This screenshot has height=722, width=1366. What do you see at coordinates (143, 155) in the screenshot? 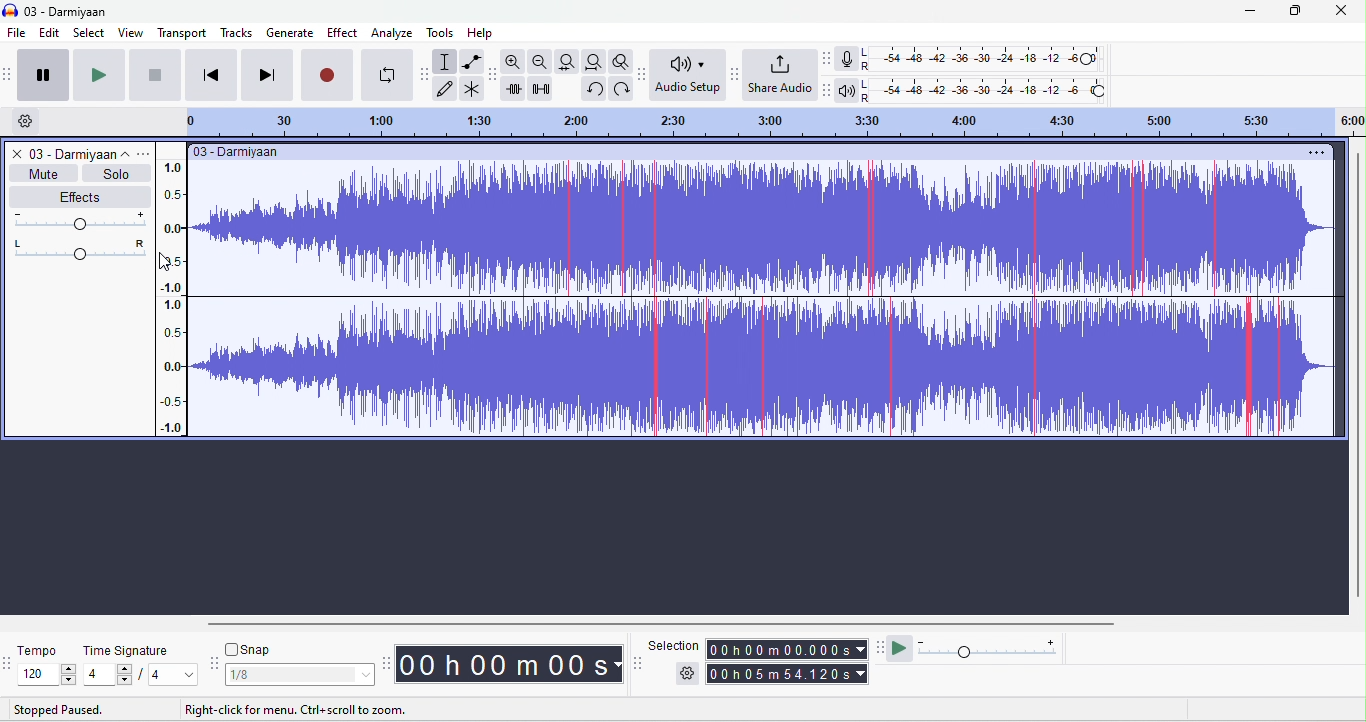
I see `track options` at bounding box center [143, 155].